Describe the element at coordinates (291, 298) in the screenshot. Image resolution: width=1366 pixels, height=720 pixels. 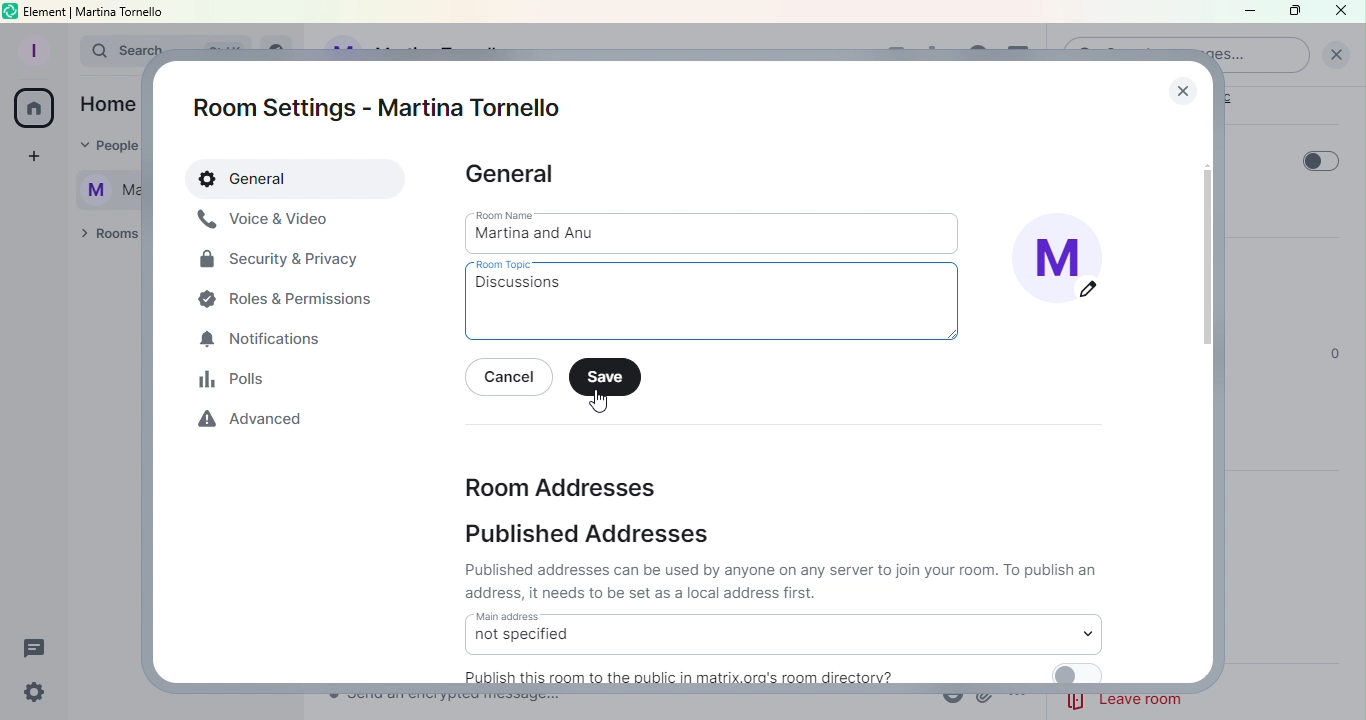
I see `Roles and permissions` at that location.